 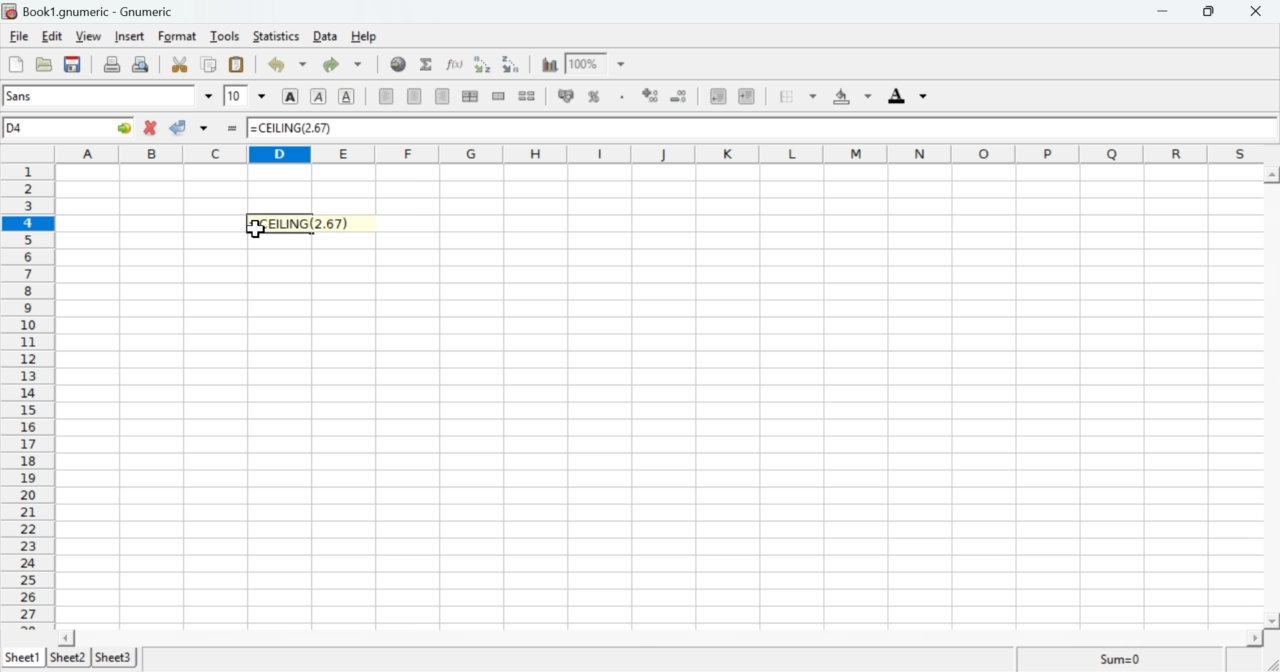 What do you see at coordinates (528, 96) in the screenshot?
I see `Split cells` at bounding box center [528, 96].